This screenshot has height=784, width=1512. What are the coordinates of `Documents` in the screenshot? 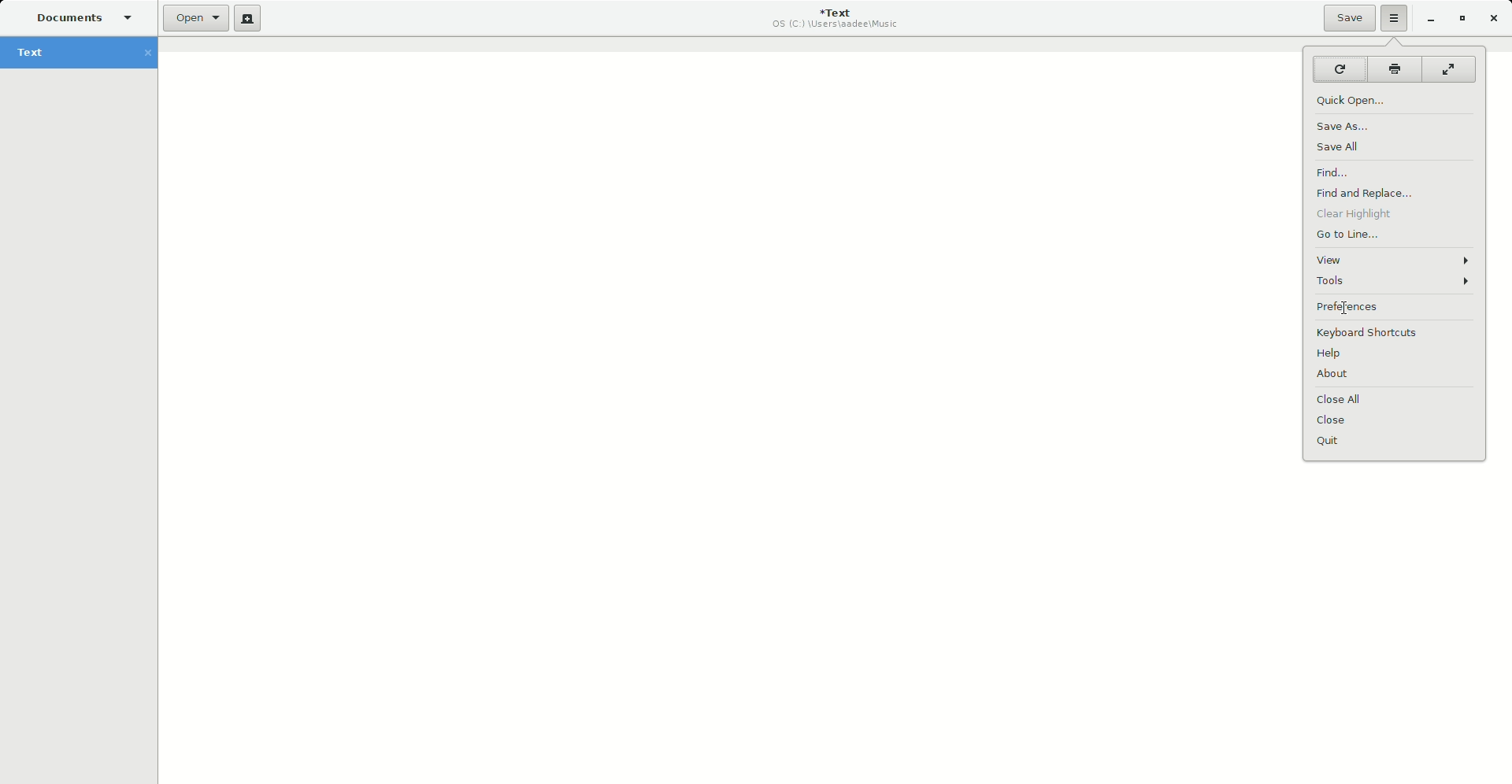 It's located at (77, 17).